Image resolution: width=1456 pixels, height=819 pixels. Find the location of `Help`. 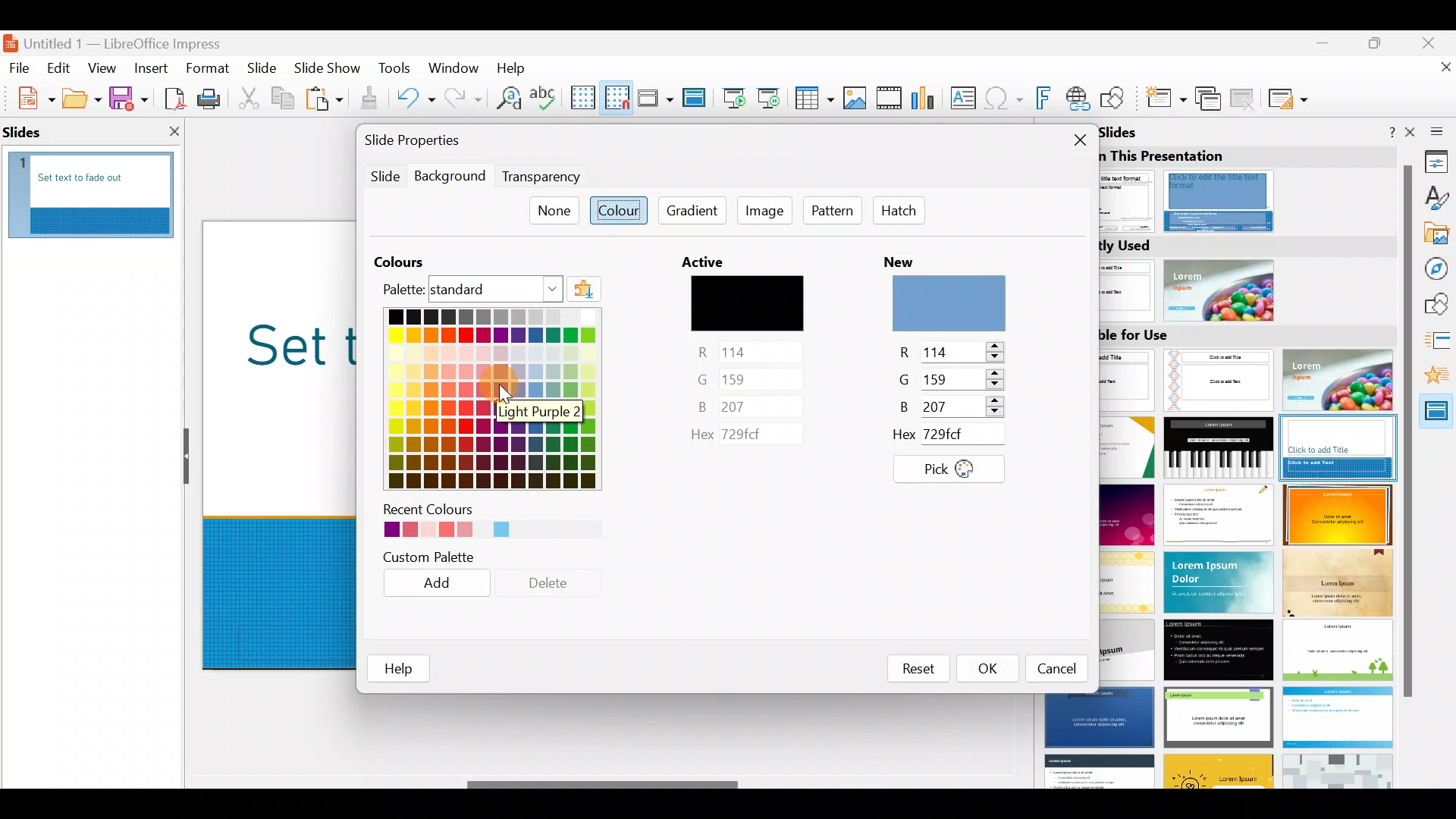

Help is located at coordinates (514, 67).